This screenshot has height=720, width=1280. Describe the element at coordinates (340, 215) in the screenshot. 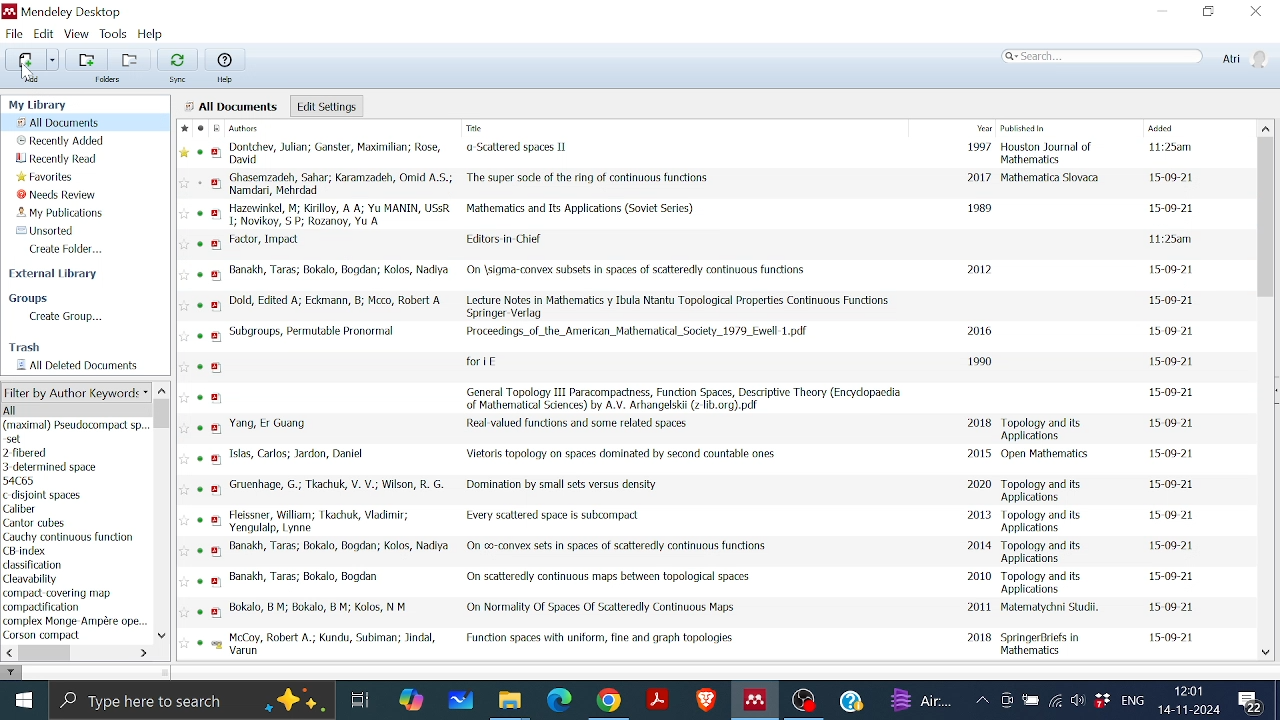

I see `Author` at that location.